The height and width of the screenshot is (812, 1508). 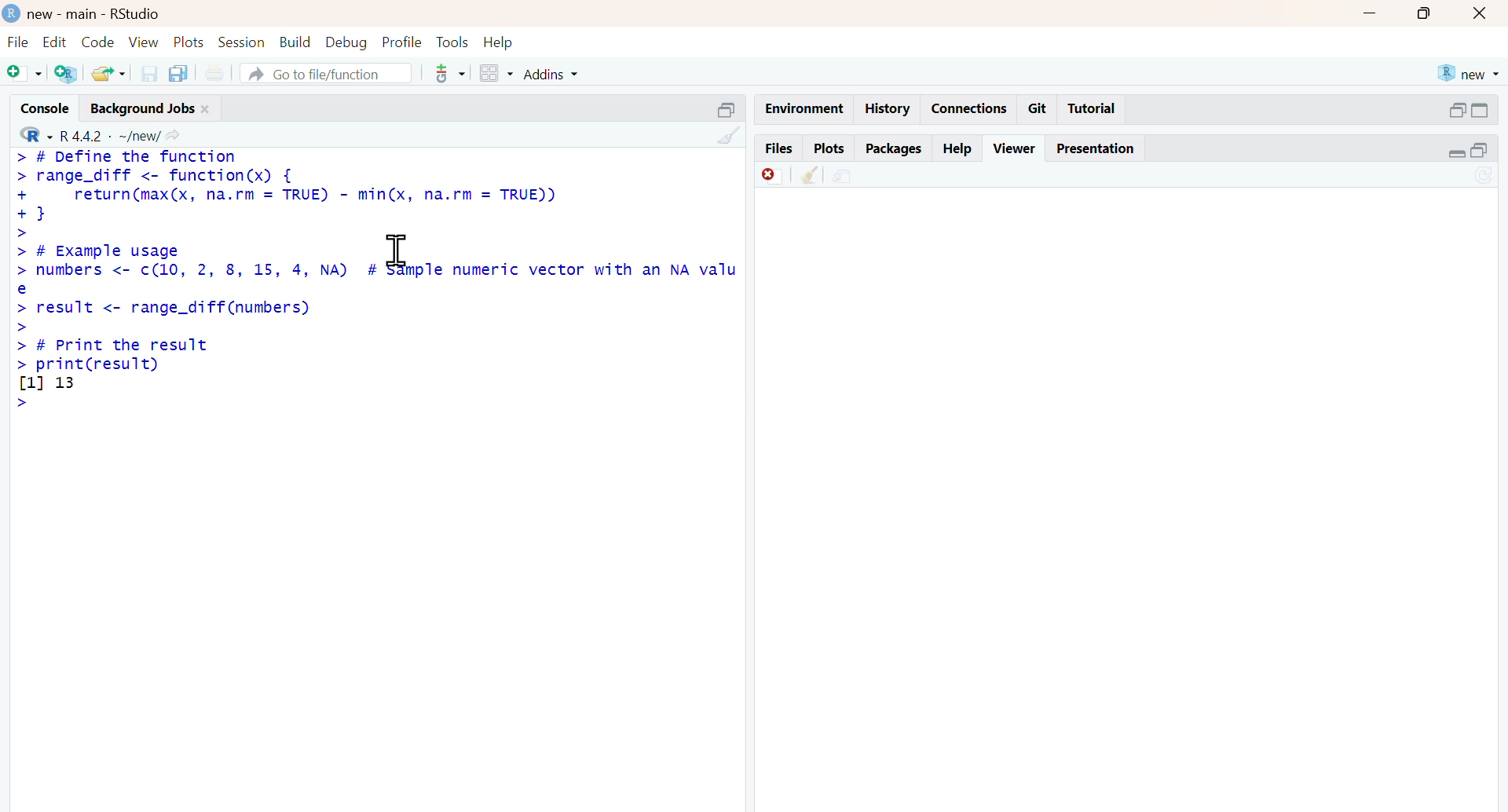 I want to click on packages, so click(x=894, y=150).